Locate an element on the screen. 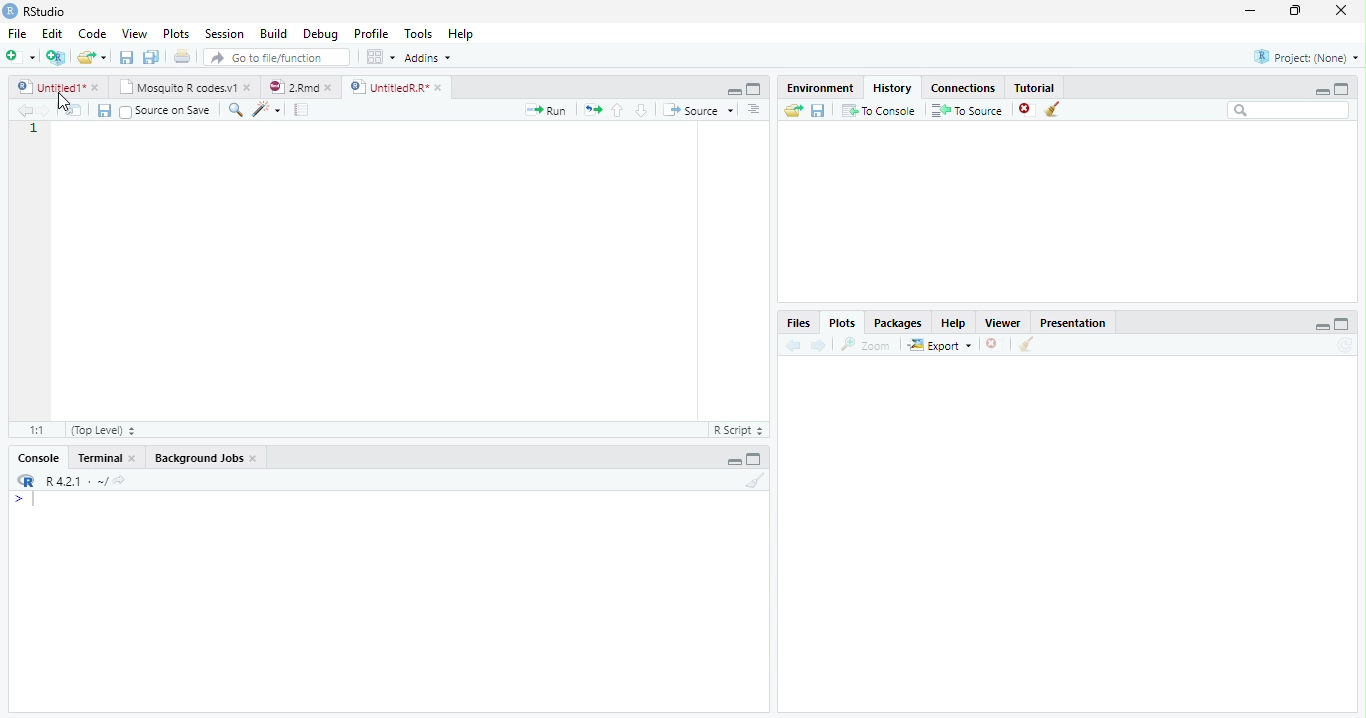 The height and width of the screenshot is (718, 1366). close is located at coordinates (254, 458).